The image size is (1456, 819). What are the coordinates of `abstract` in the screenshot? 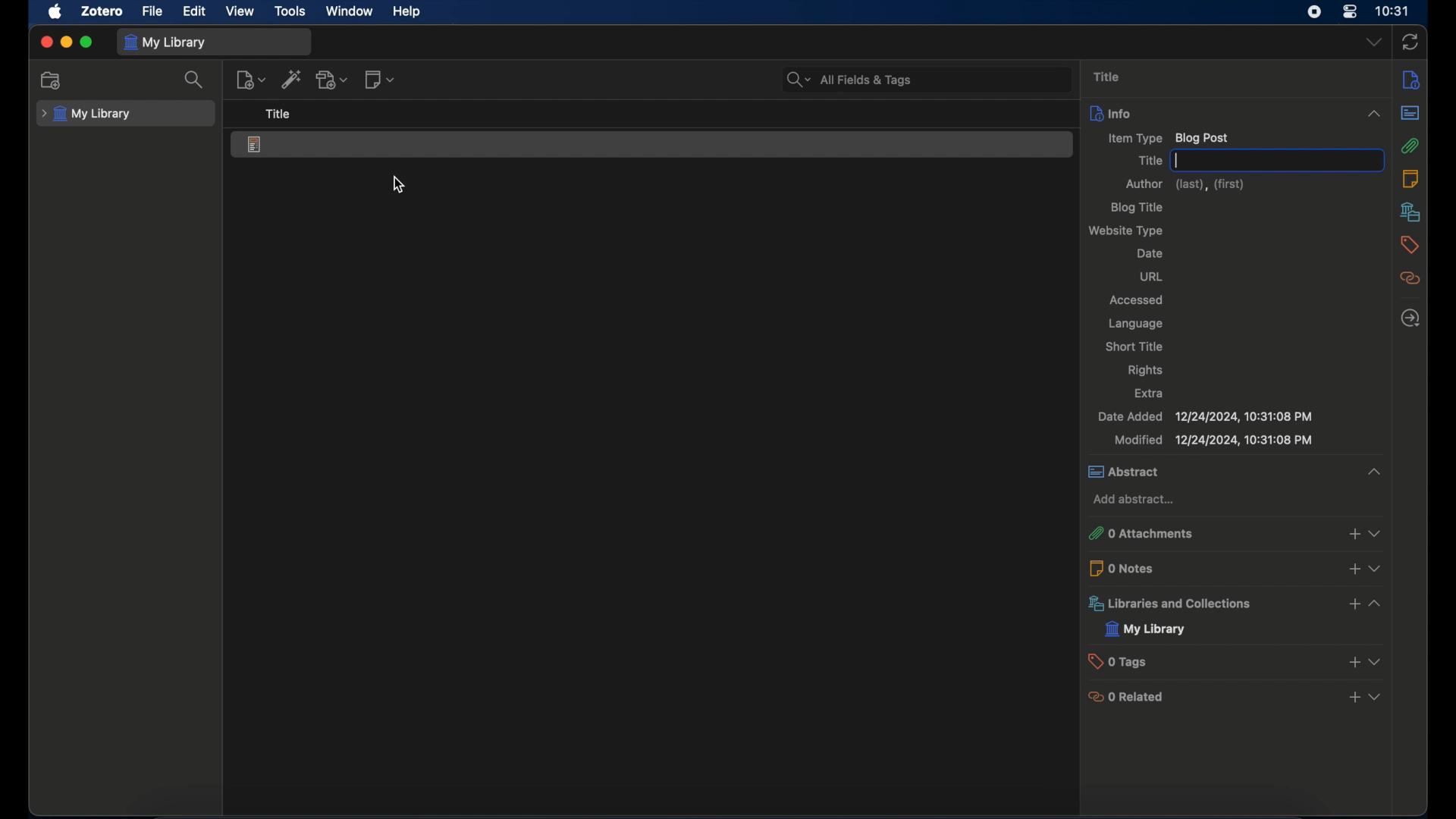 It's located at (1410, 113).